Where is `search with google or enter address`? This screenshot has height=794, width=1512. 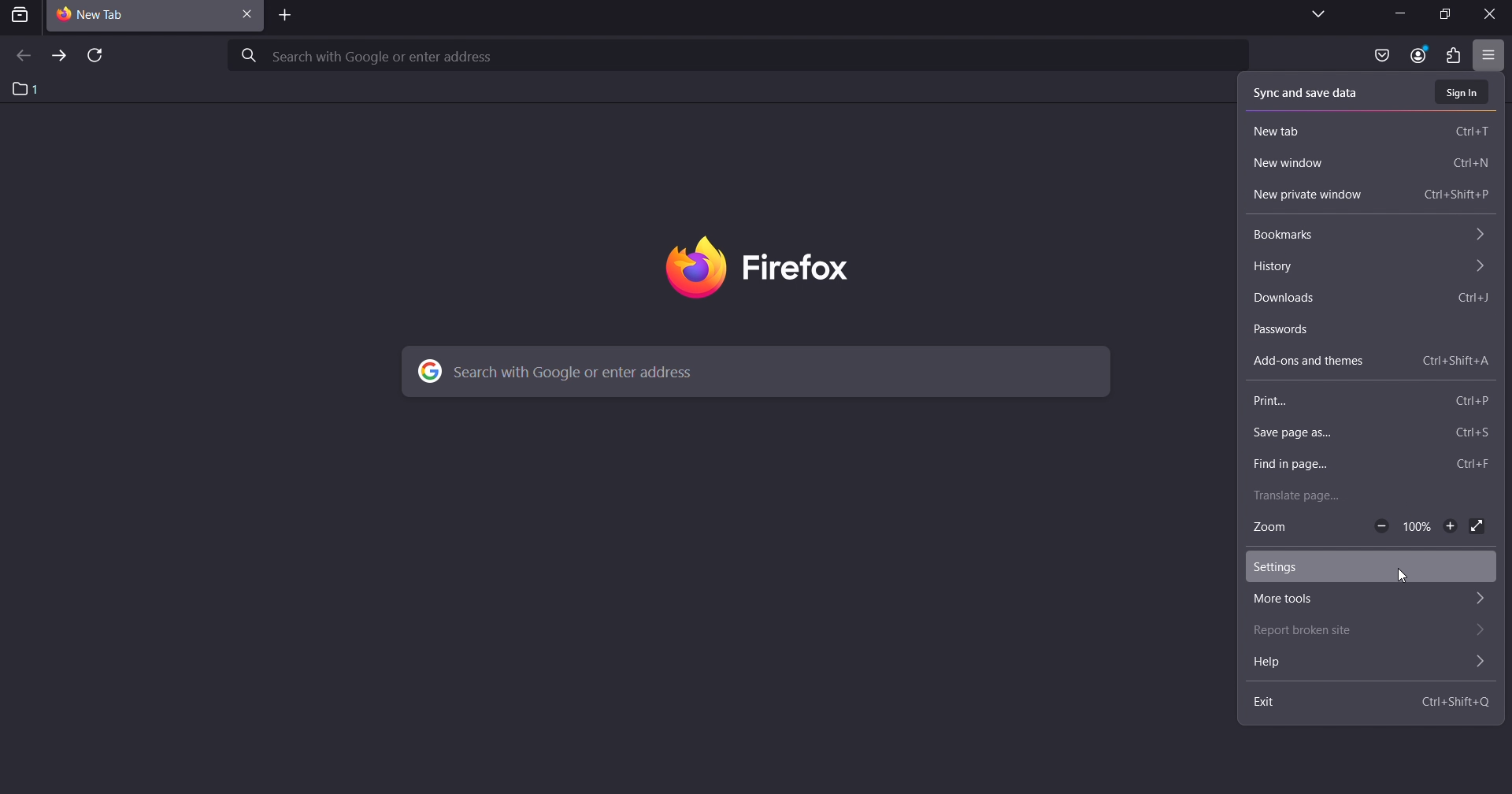 search with google or enter address is located at coordinates (741, 56).